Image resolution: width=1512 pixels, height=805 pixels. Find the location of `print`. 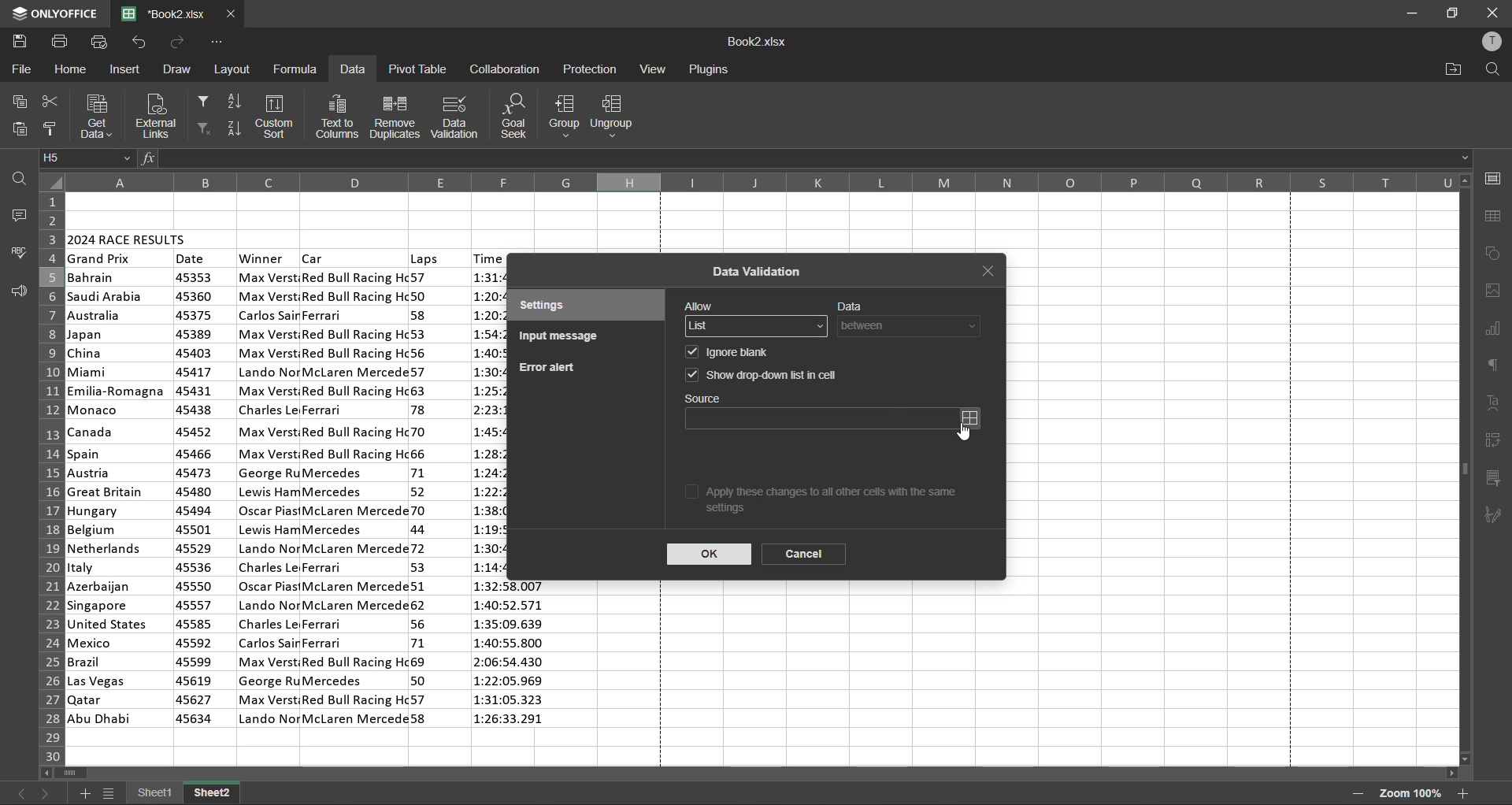

print is located at coordinates (61, 42).